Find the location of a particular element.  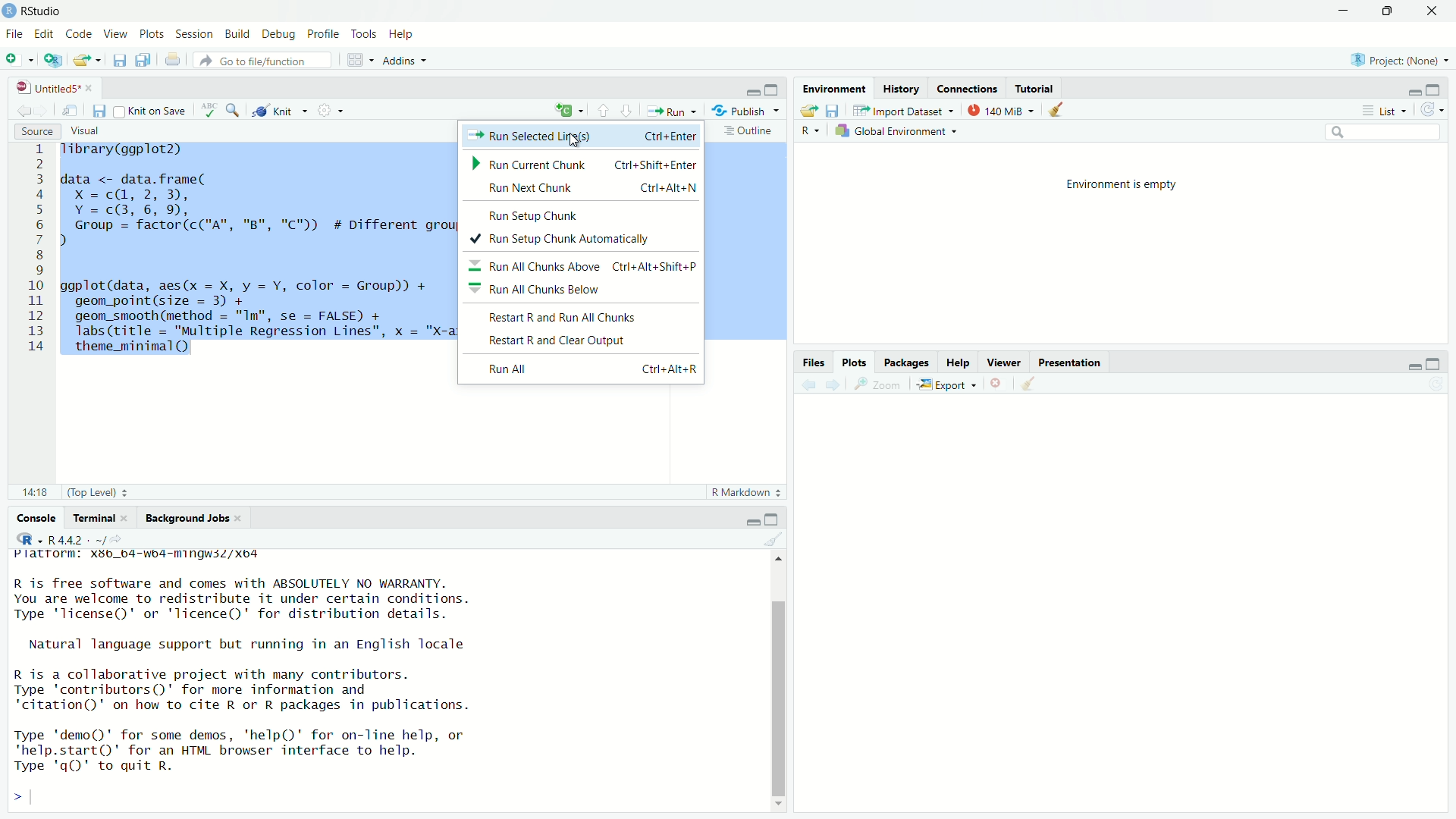

History is located at coordinates (900, 90).